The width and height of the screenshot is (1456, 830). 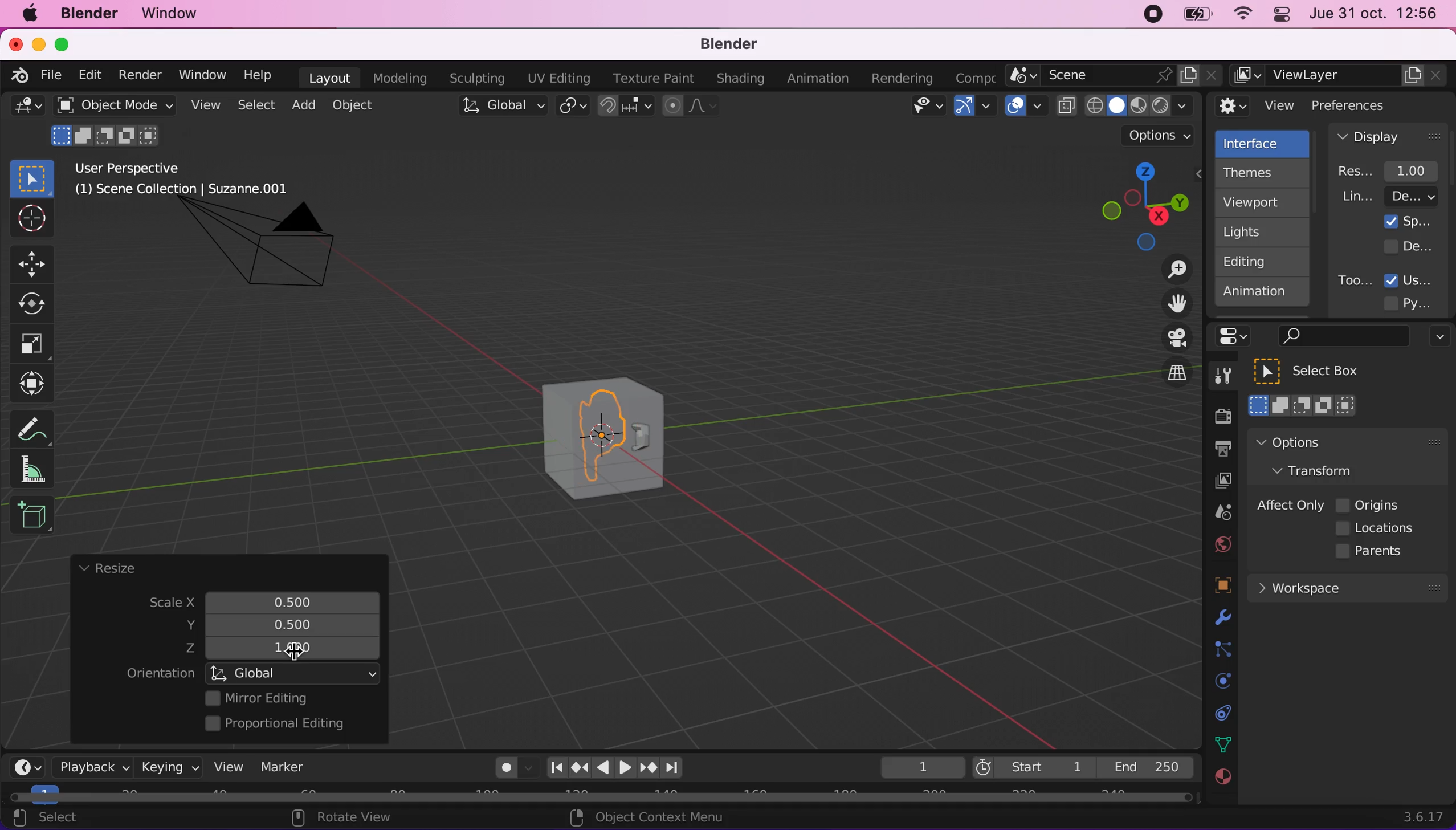 I want to click on mode, so click(x=108, y=134).